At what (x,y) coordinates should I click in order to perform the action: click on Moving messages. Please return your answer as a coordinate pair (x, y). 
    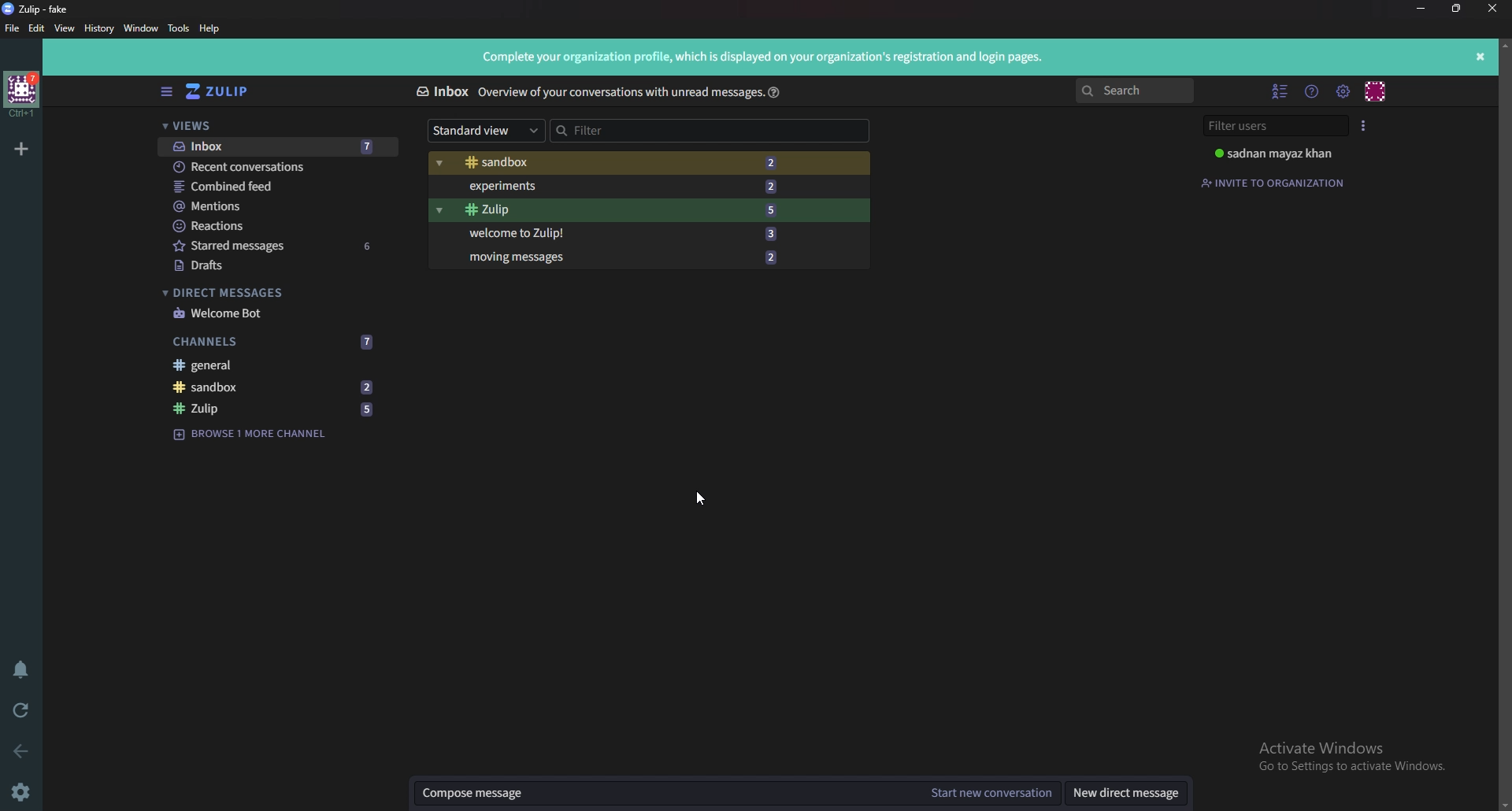
    Looking at the image, I should click on (628, 257).